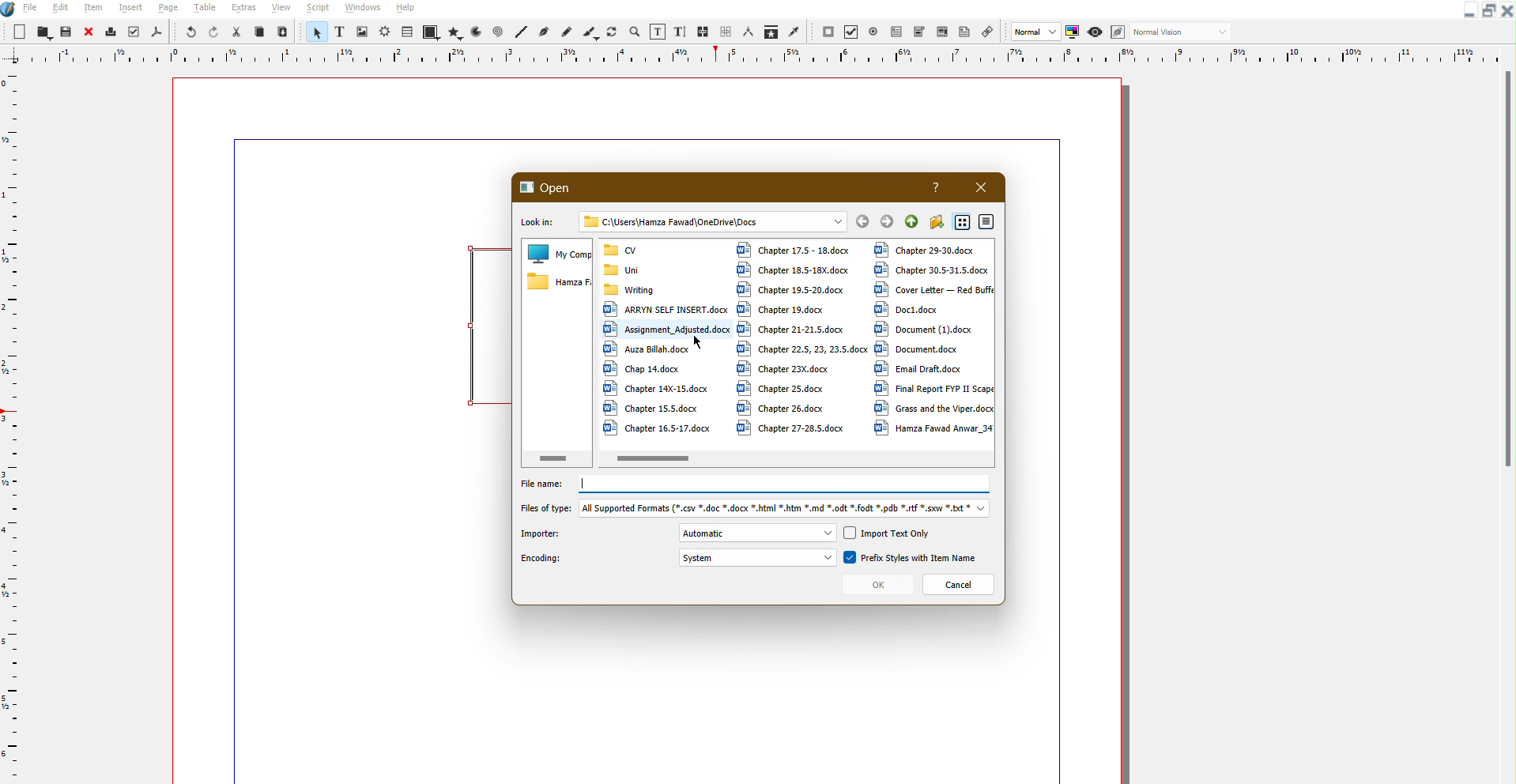 Image resolution: width=1516 pixels, height=784 pixels. I want to click on Cursor, so click(701, 345).